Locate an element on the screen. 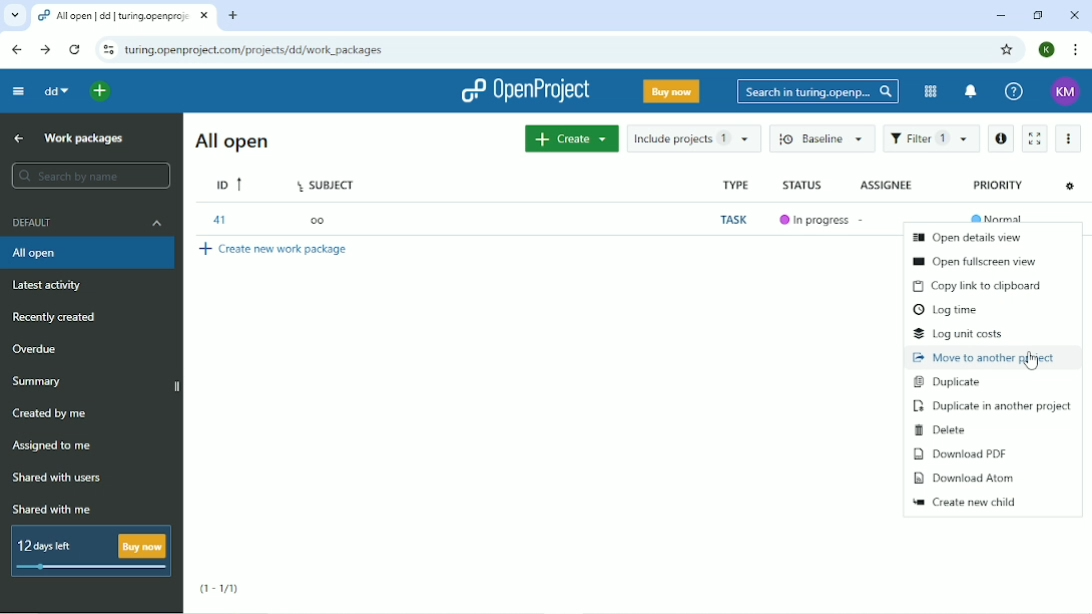 Image resolution: width=1092 pixels, height=614 pixels. K is located at coordinates (1048, 49).